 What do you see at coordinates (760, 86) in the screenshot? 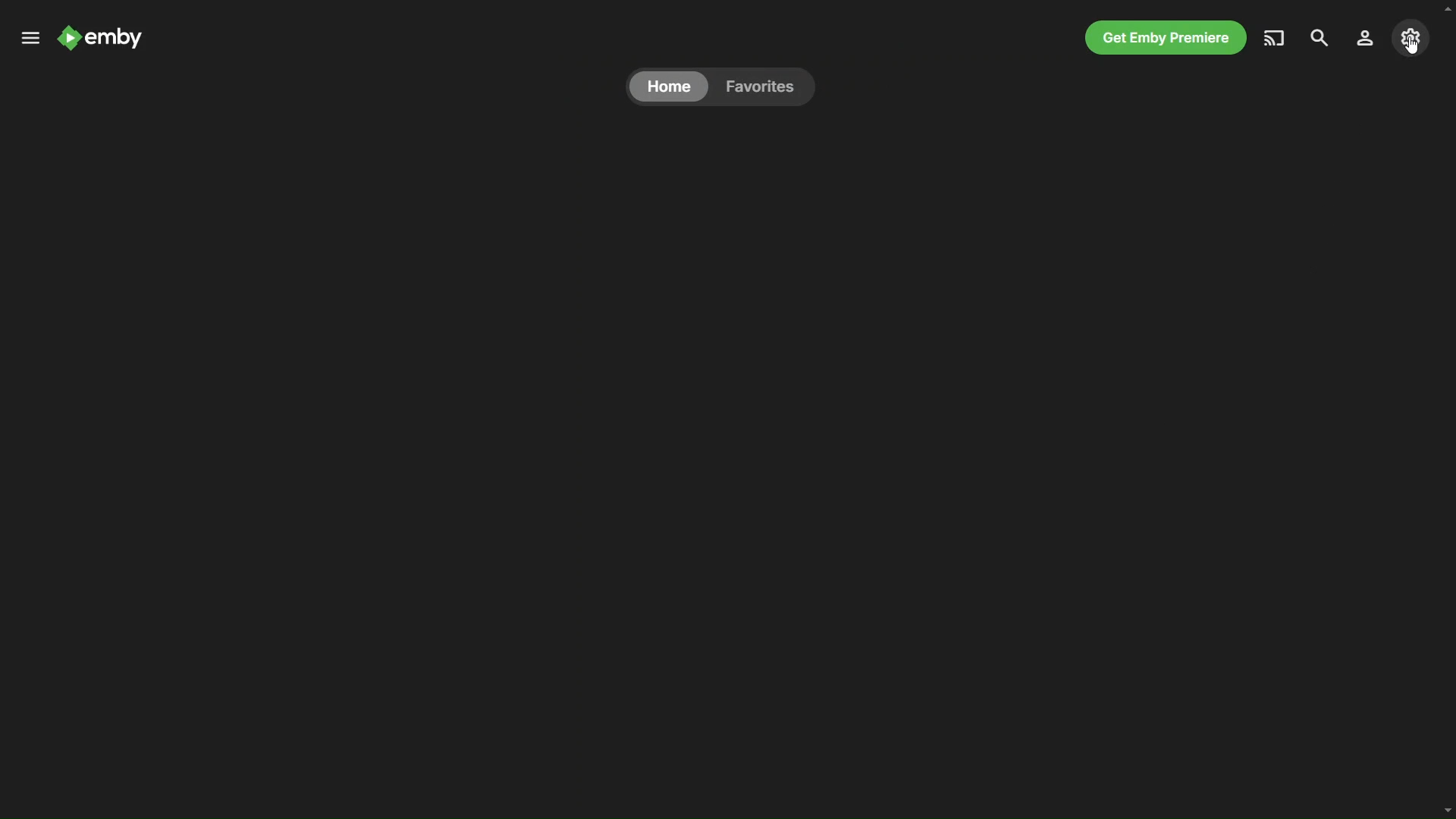
I see `favorites` at bounding box center [760, 86].